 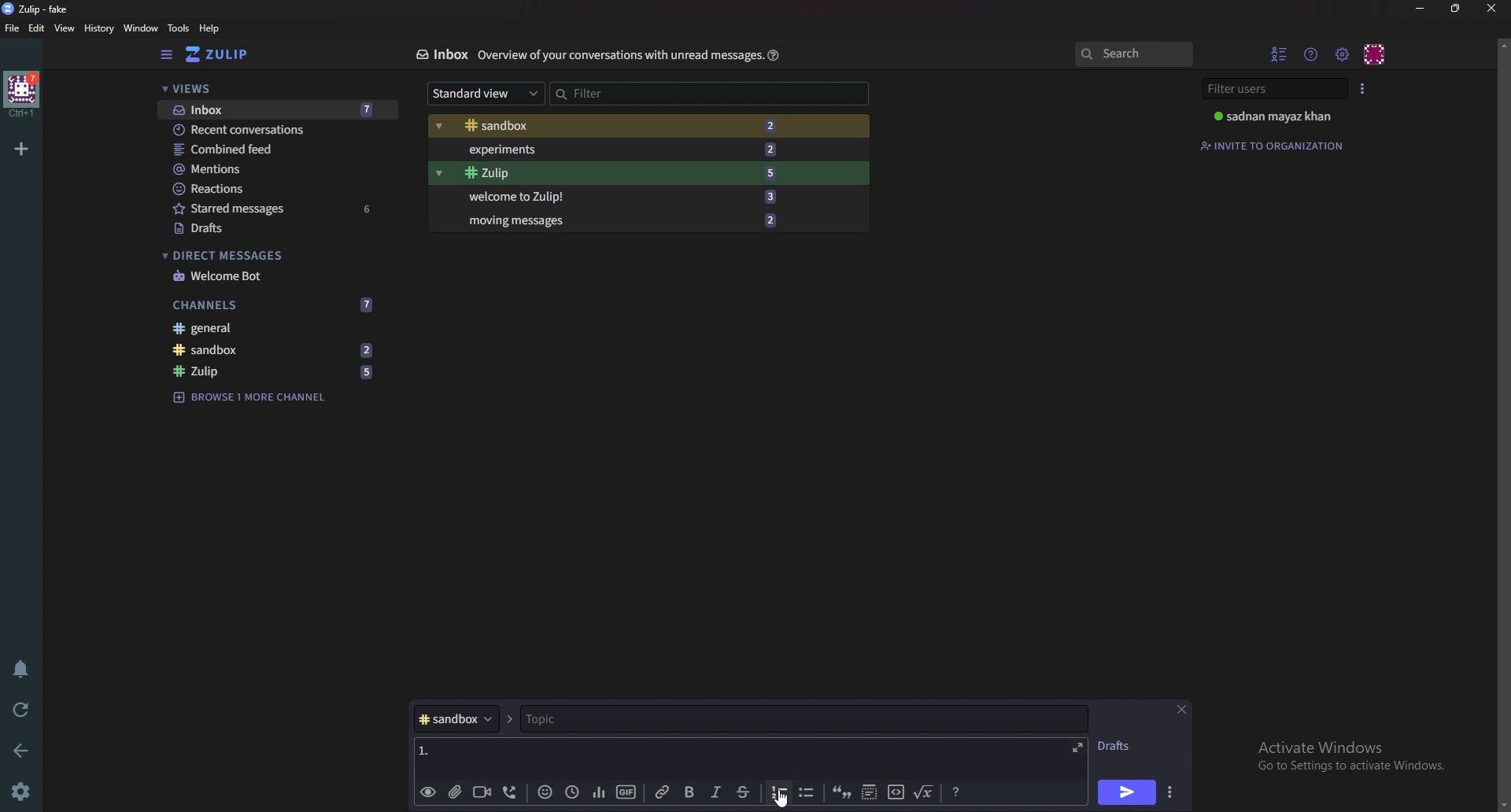 I want to click on Edit, so click(x=38, y=28).